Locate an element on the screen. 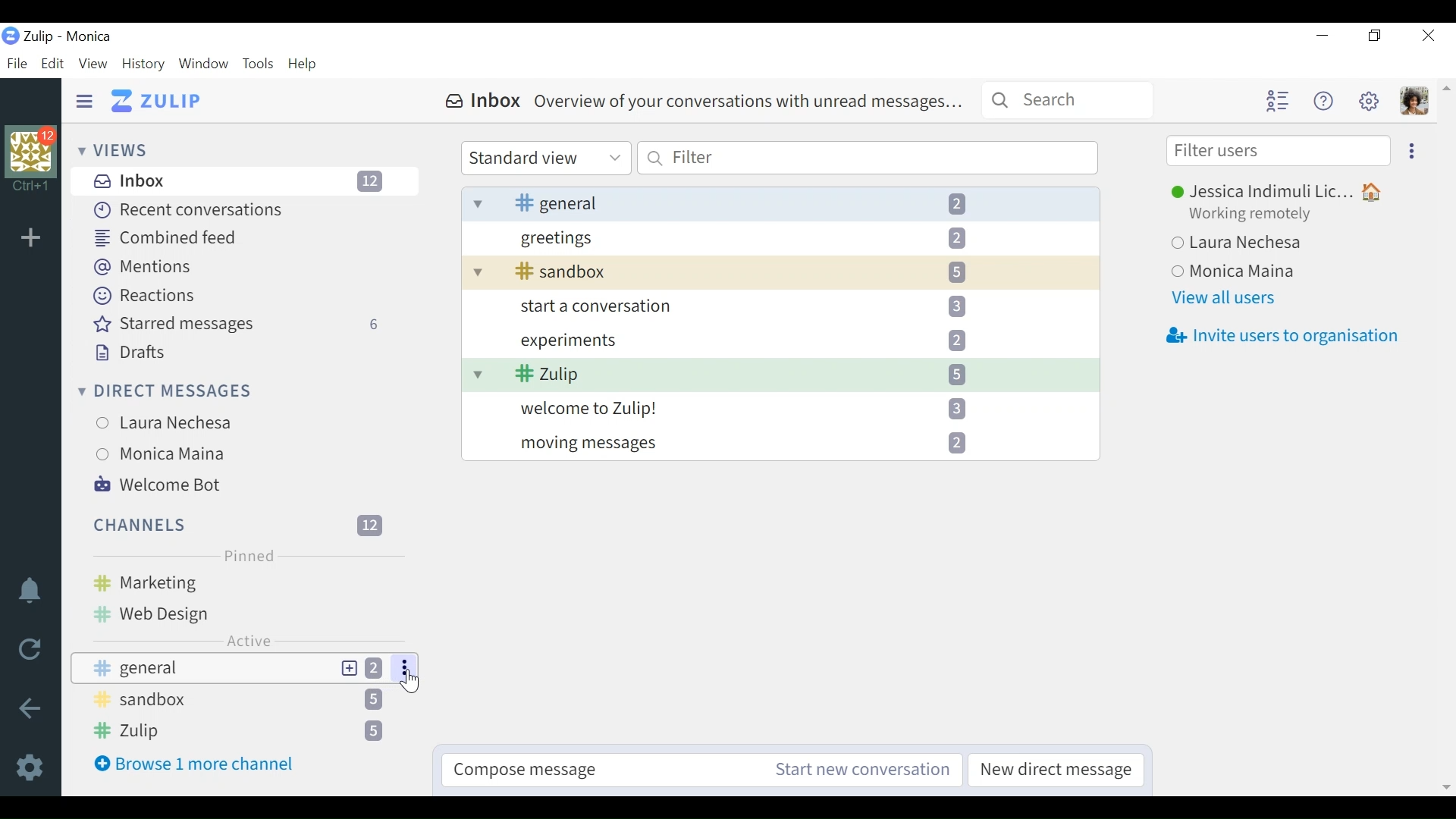  Organisation Profile picture is located at coordinates (33, 152).